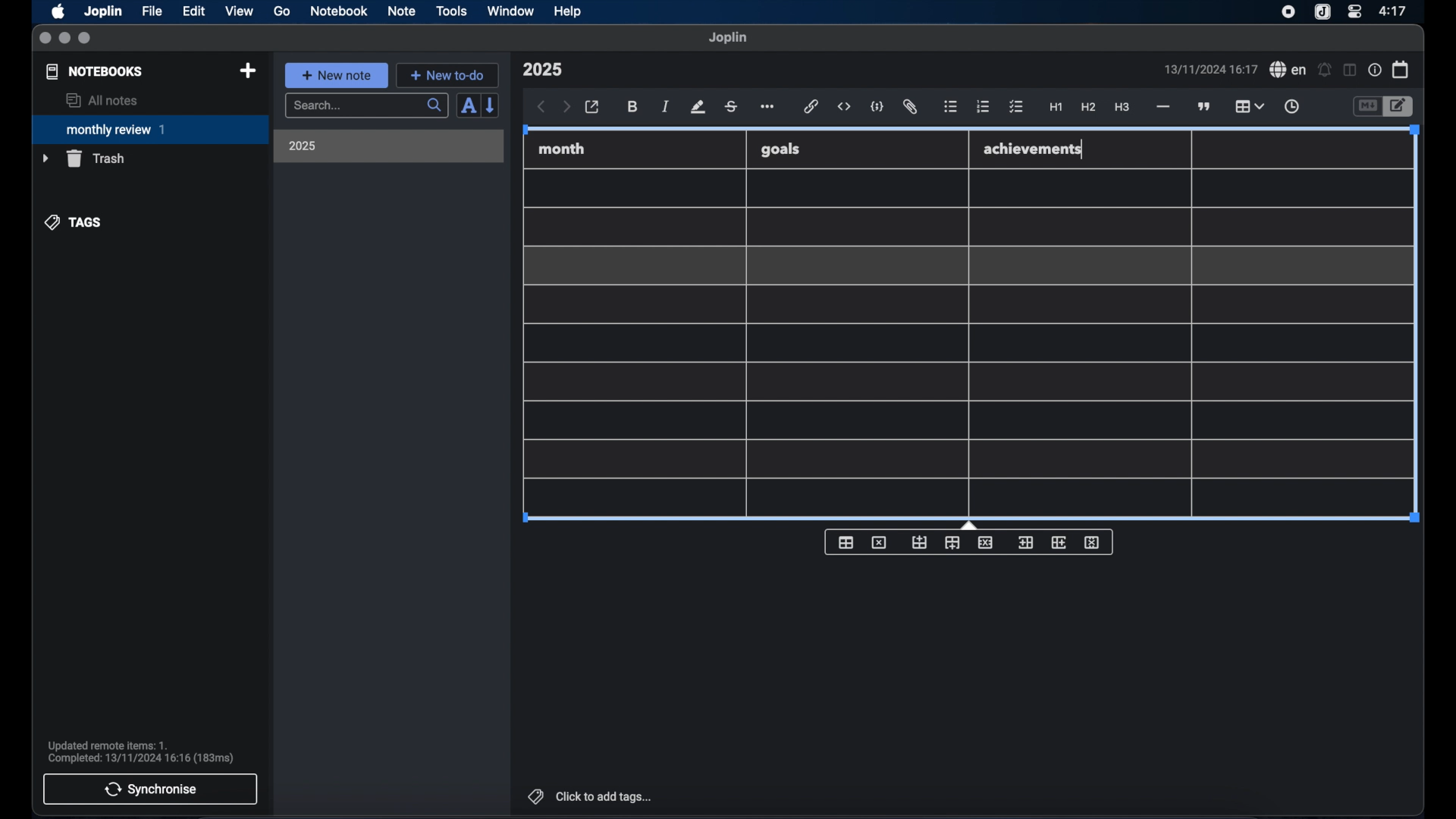 This screenshot has height=819, width=1456. What do you see at coordinates (566, 108) in the screenshot?
I see `forward` at bounding box center [566, 108].